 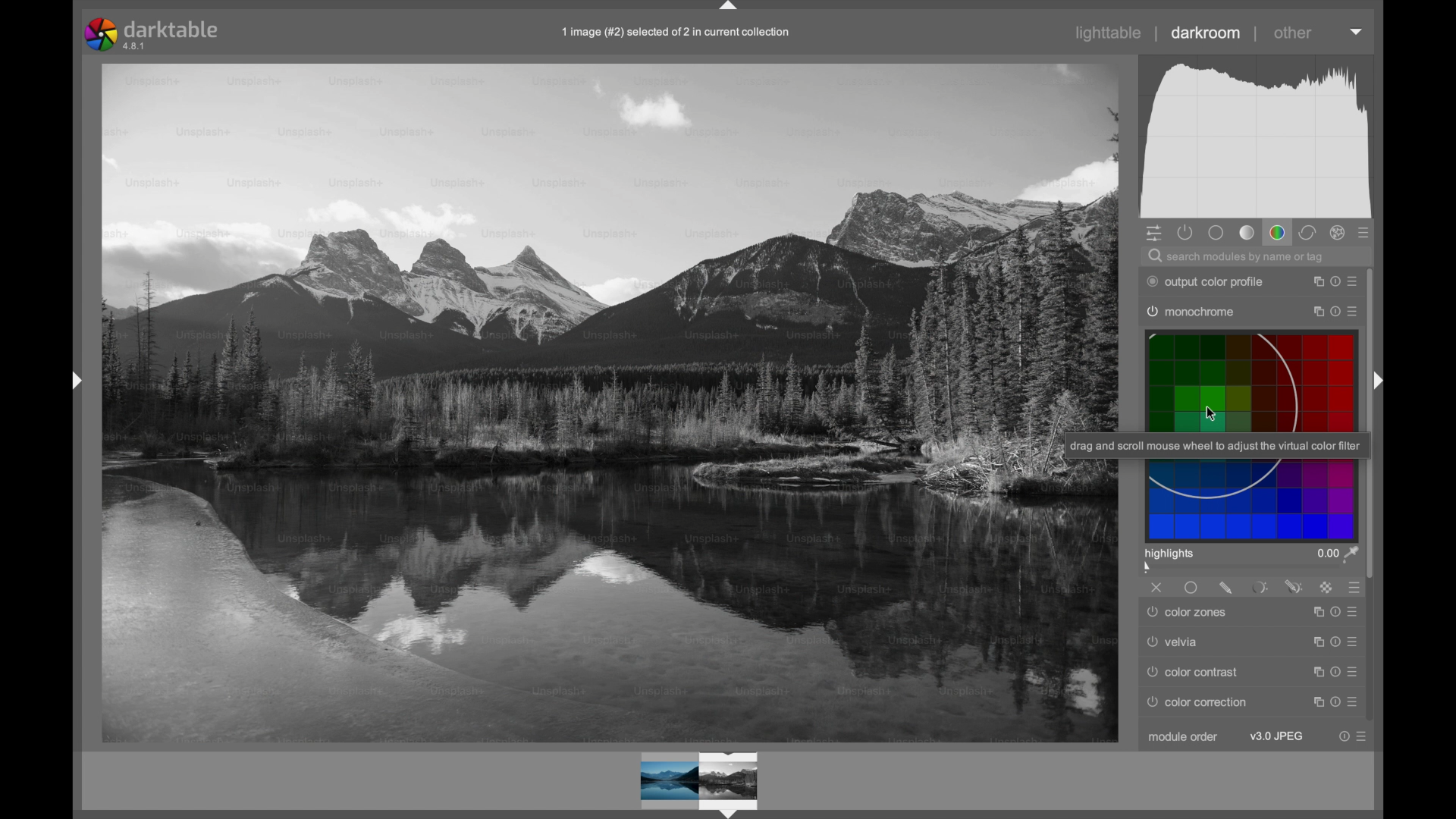 What do you see at coordinates (1194, 672) in the screenshot?
I see `color contrast` at bounding box center [1194, 672].